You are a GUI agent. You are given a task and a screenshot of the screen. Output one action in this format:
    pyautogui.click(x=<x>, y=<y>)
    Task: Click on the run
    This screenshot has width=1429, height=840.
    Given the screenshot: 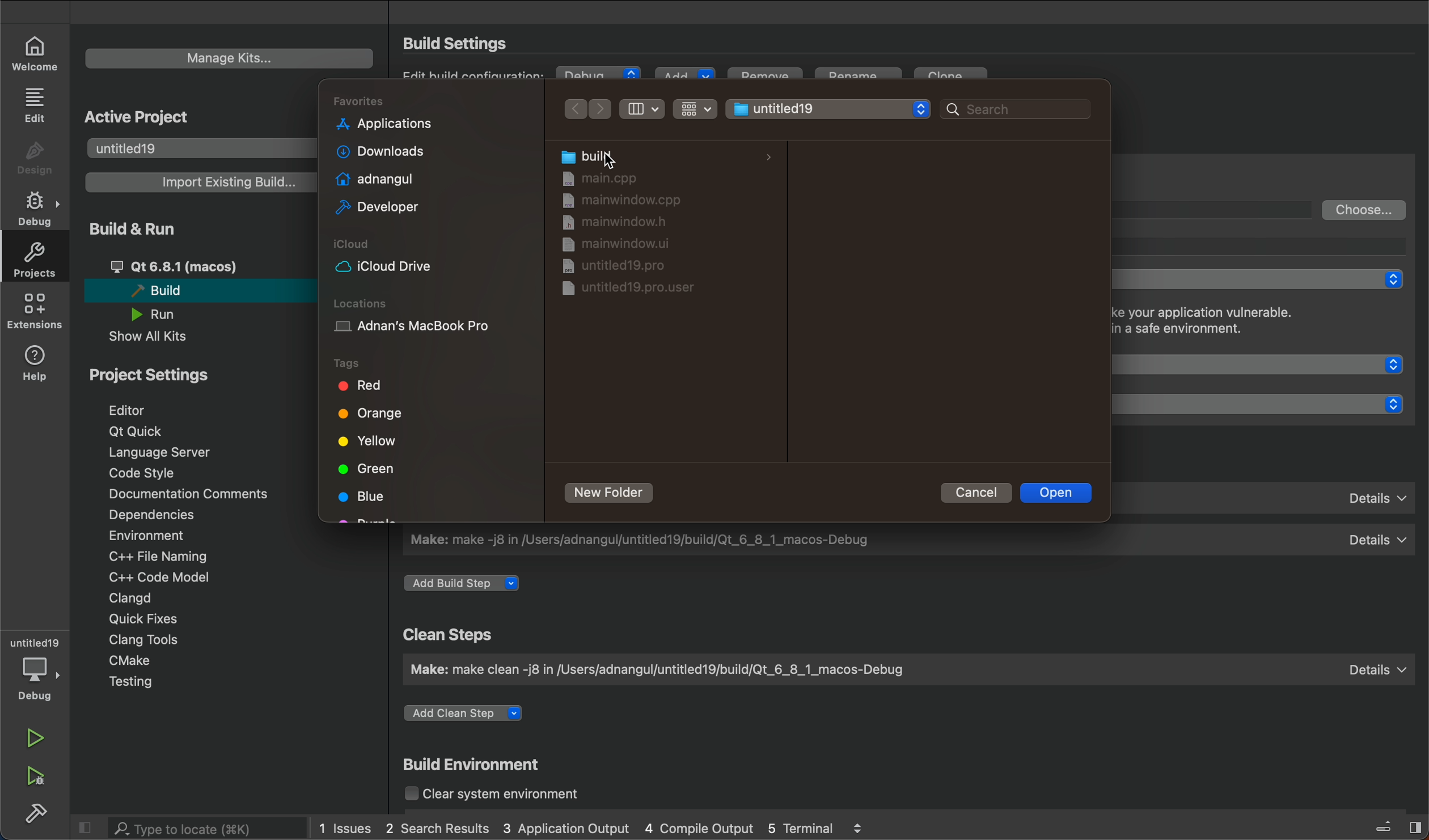 What is the action you would take?
    pyautogui.click(x=164, y=314)
    